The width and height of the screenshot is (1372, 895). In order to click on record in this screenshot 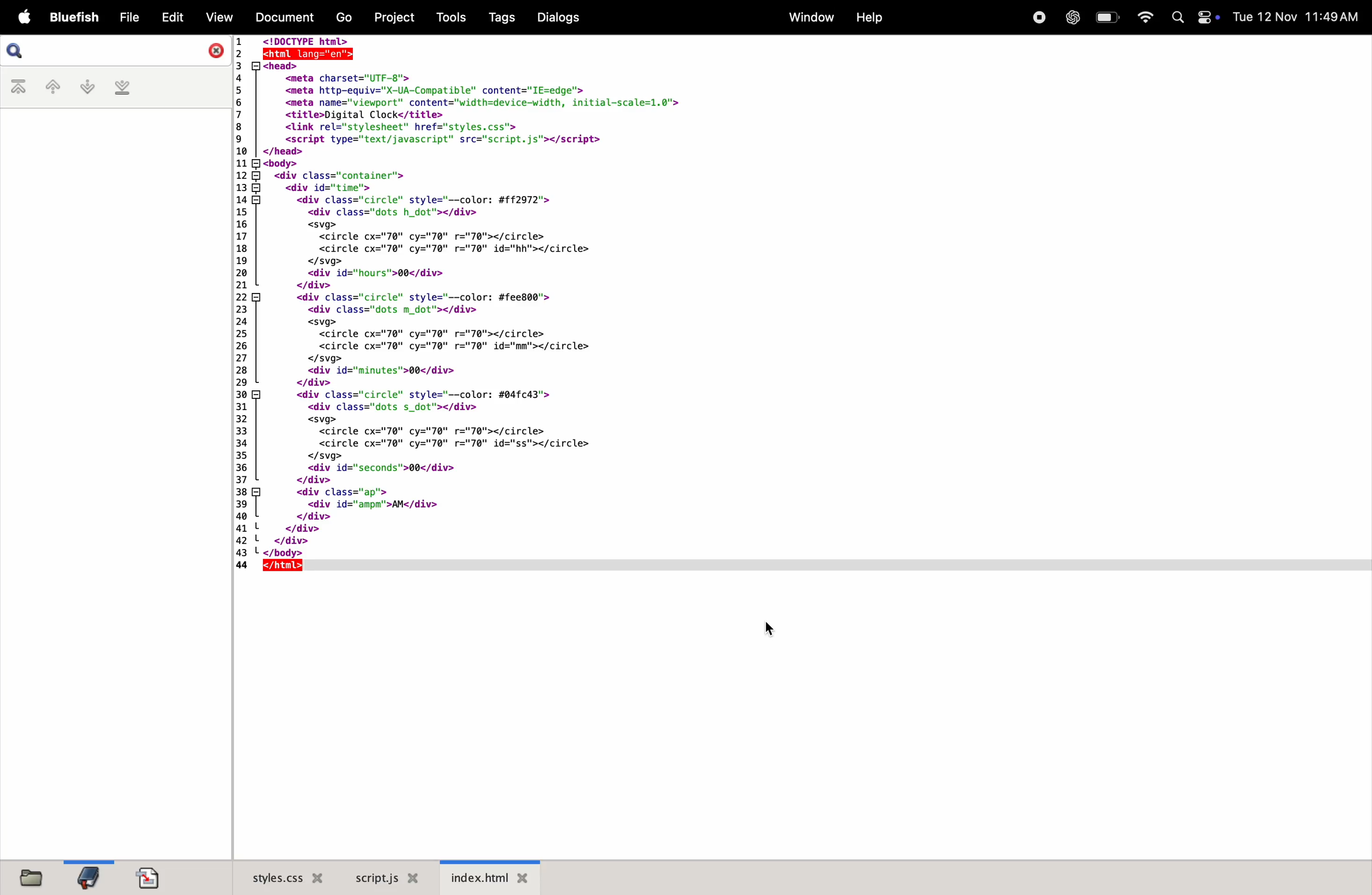, I will do `click(1035, 17)`.